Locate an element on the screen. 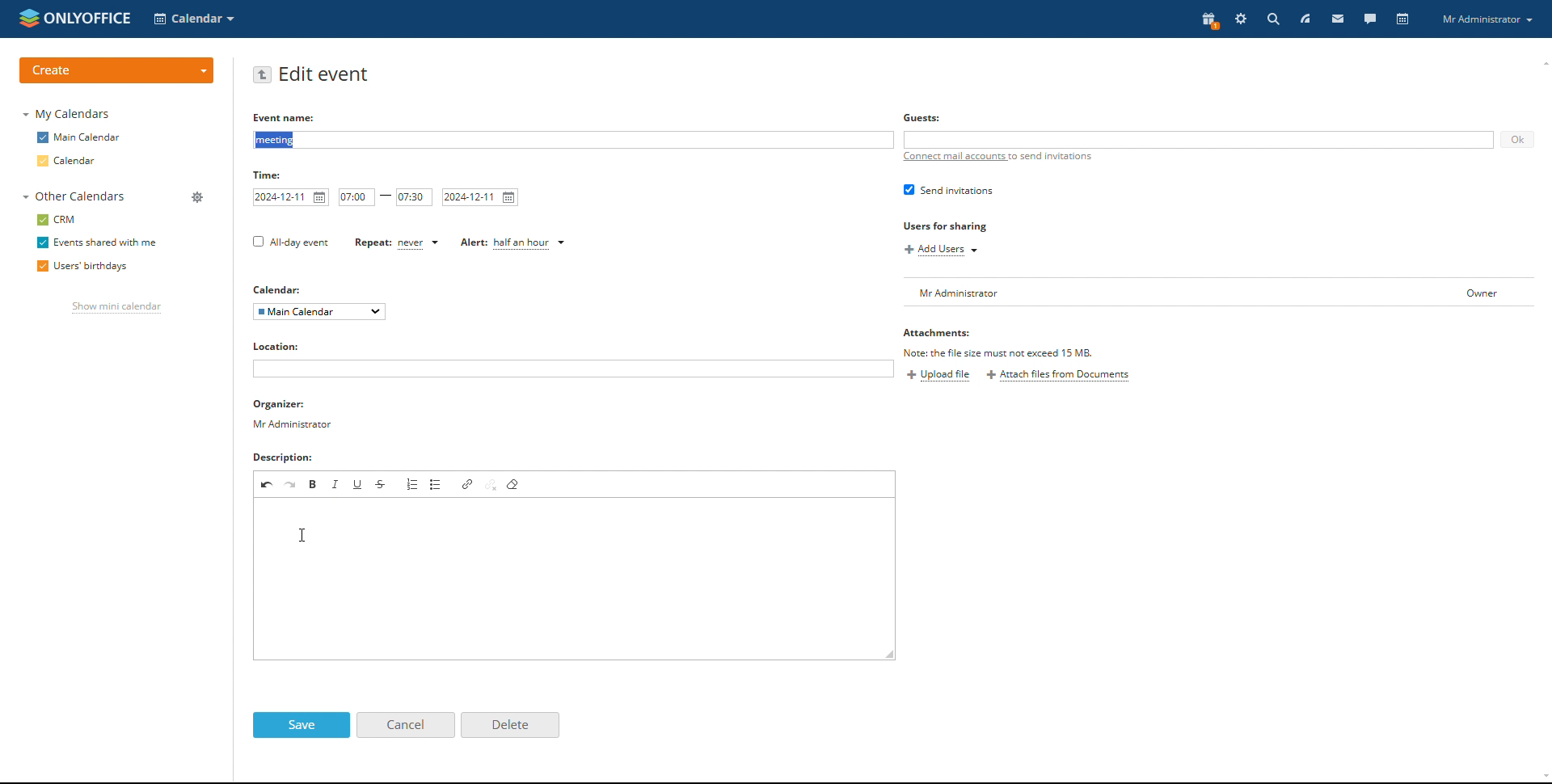 The height and width of the screenshot is (784, 1552). create is located at coordinates (116, 70).